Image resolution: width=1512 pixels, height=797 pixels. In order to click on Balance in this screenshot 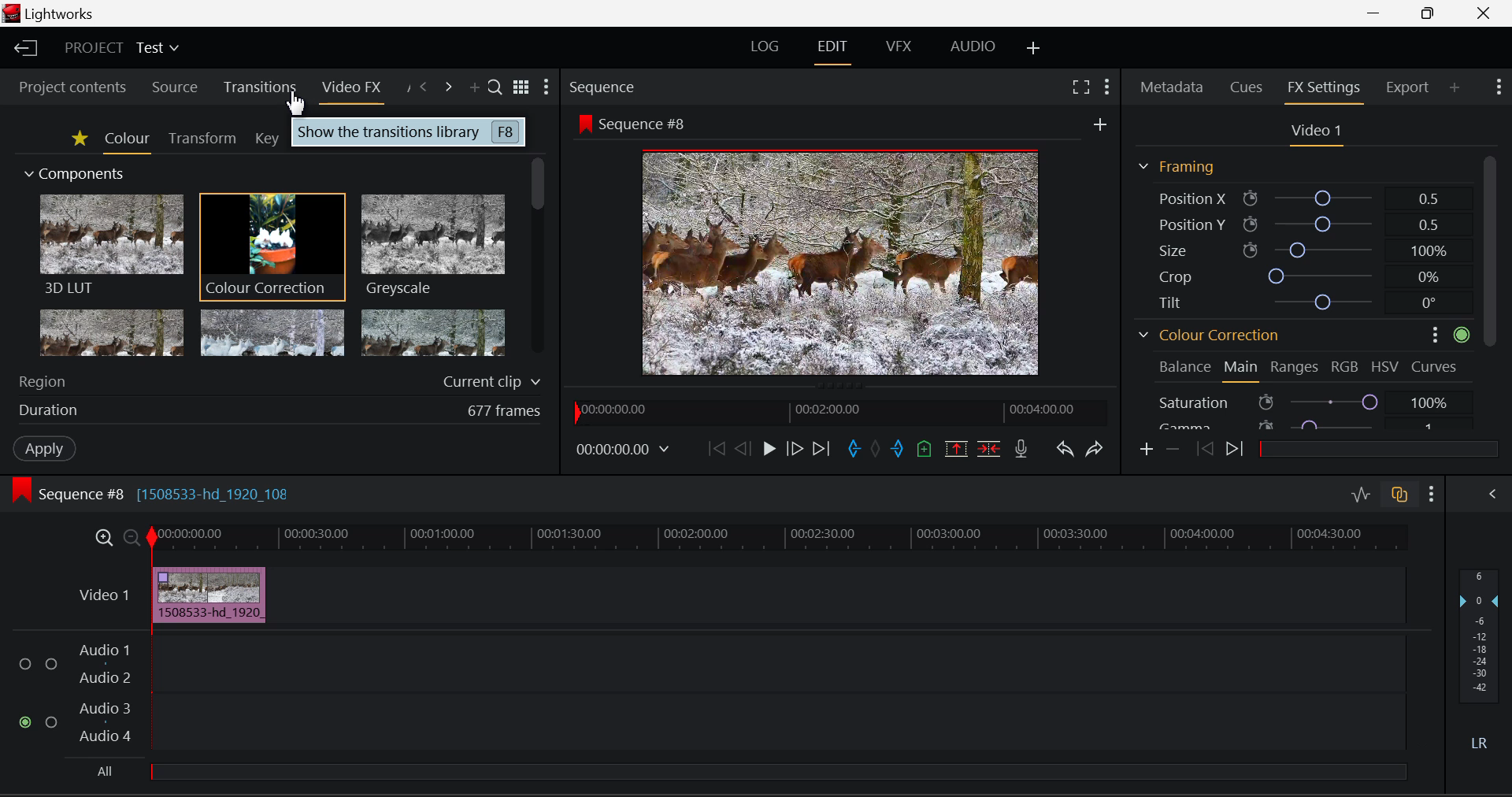, I will do `click(1184, 366)`.